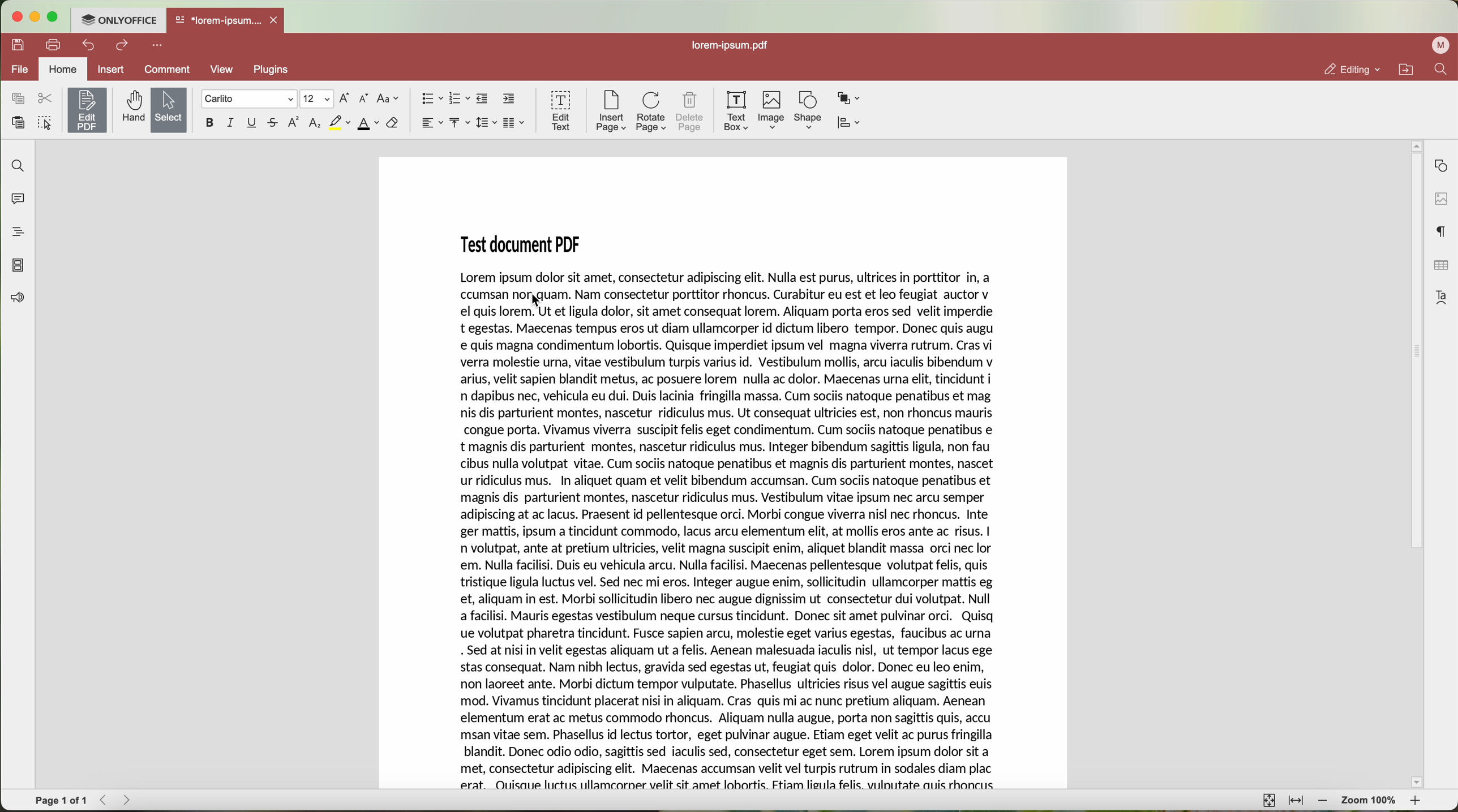  Describe the element at coordinates (1268, 801) in the screenshot. I see `fit to page` at that location.